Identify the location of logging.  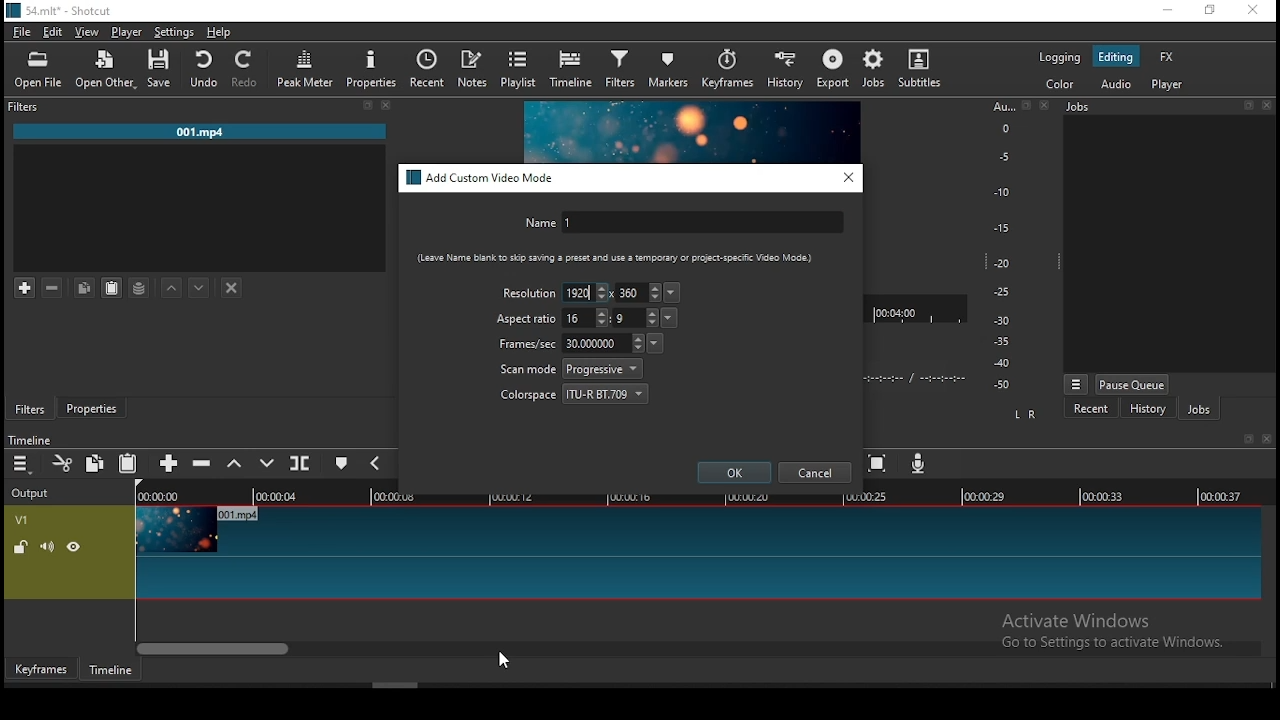
(1059, 56).